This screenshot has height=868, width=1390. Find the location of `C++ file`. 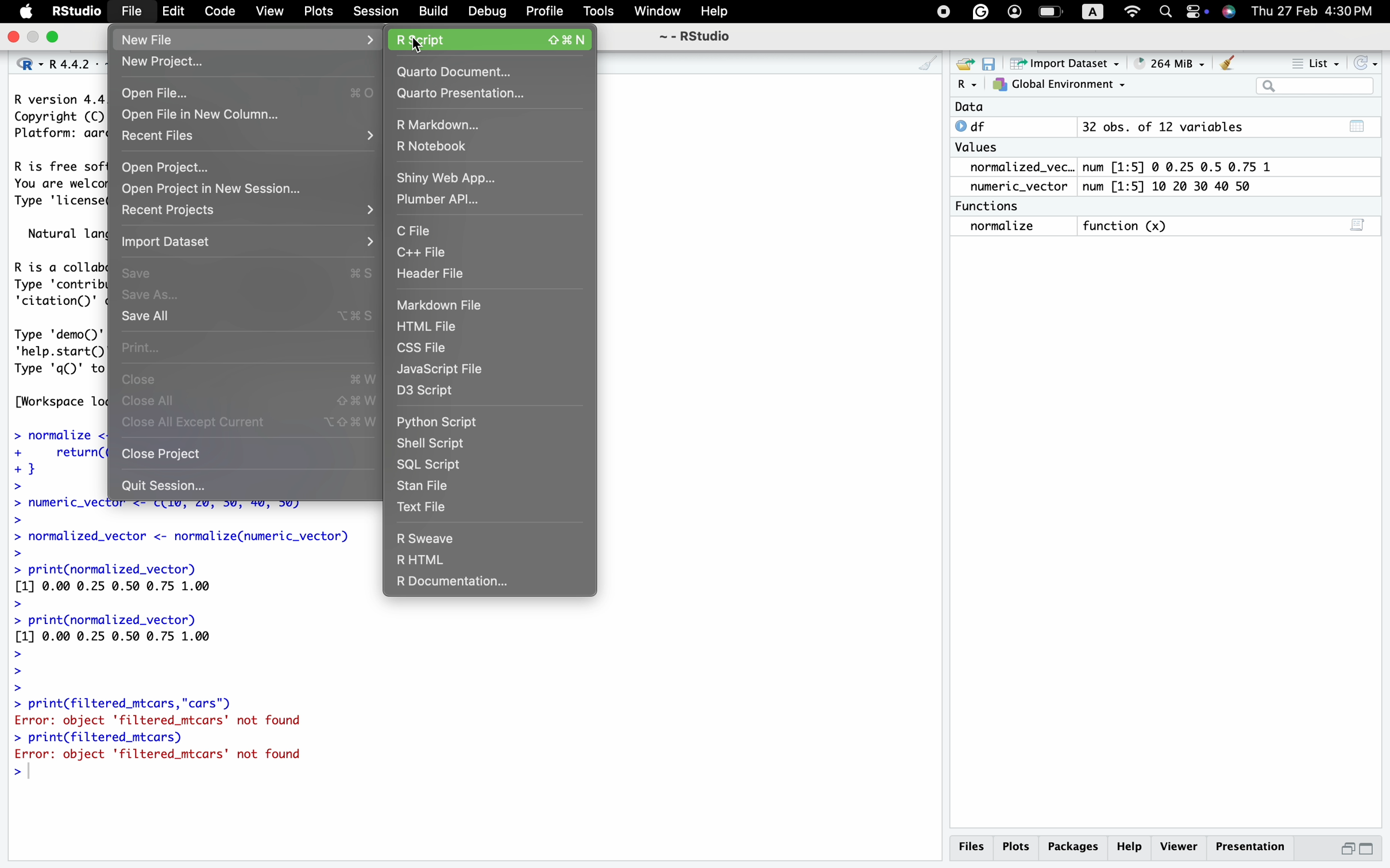

C++ file is located at coordinates (484, 254).